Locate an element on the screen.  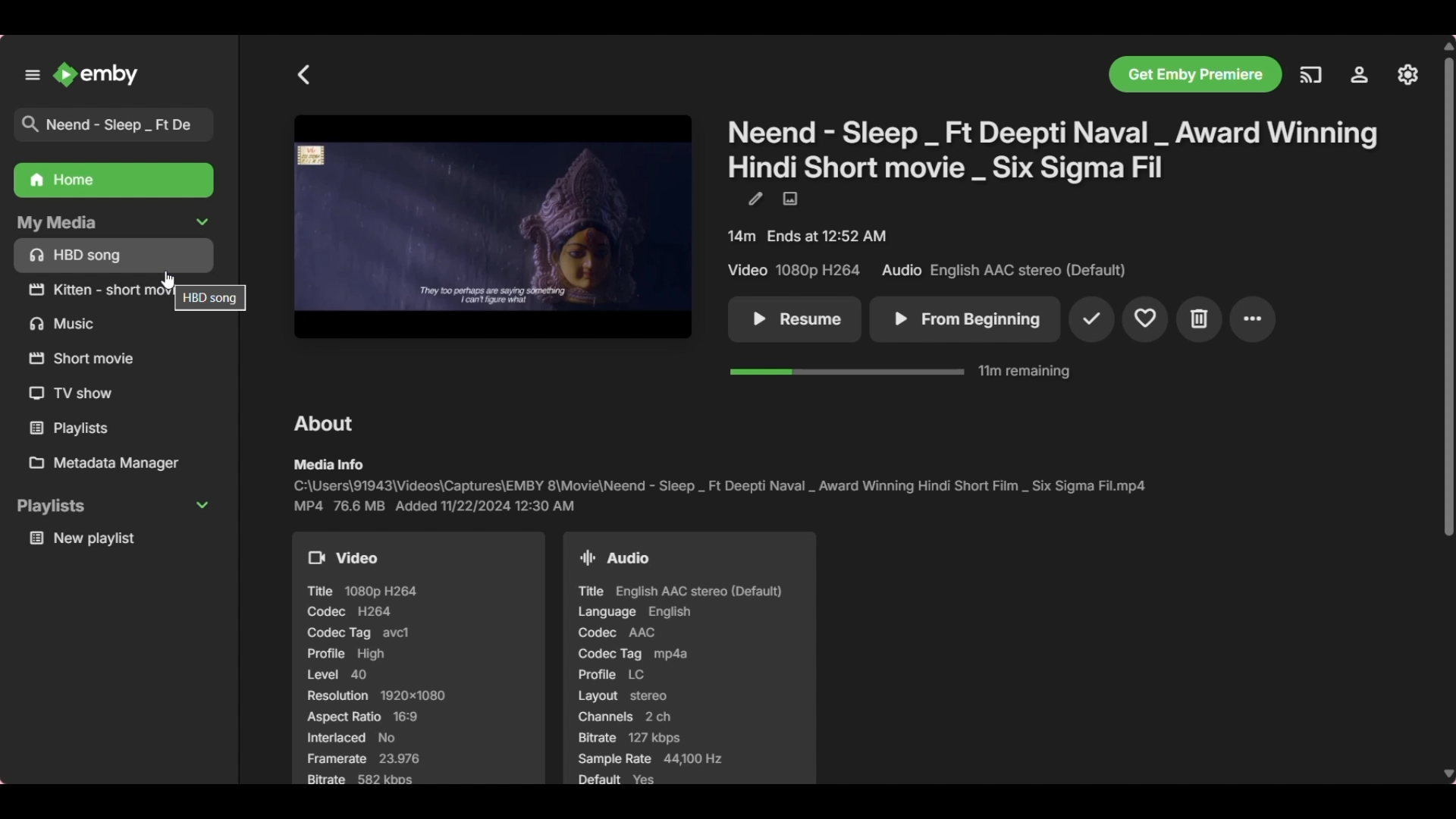
Collapse playlists is located at coordinates (113, 507).